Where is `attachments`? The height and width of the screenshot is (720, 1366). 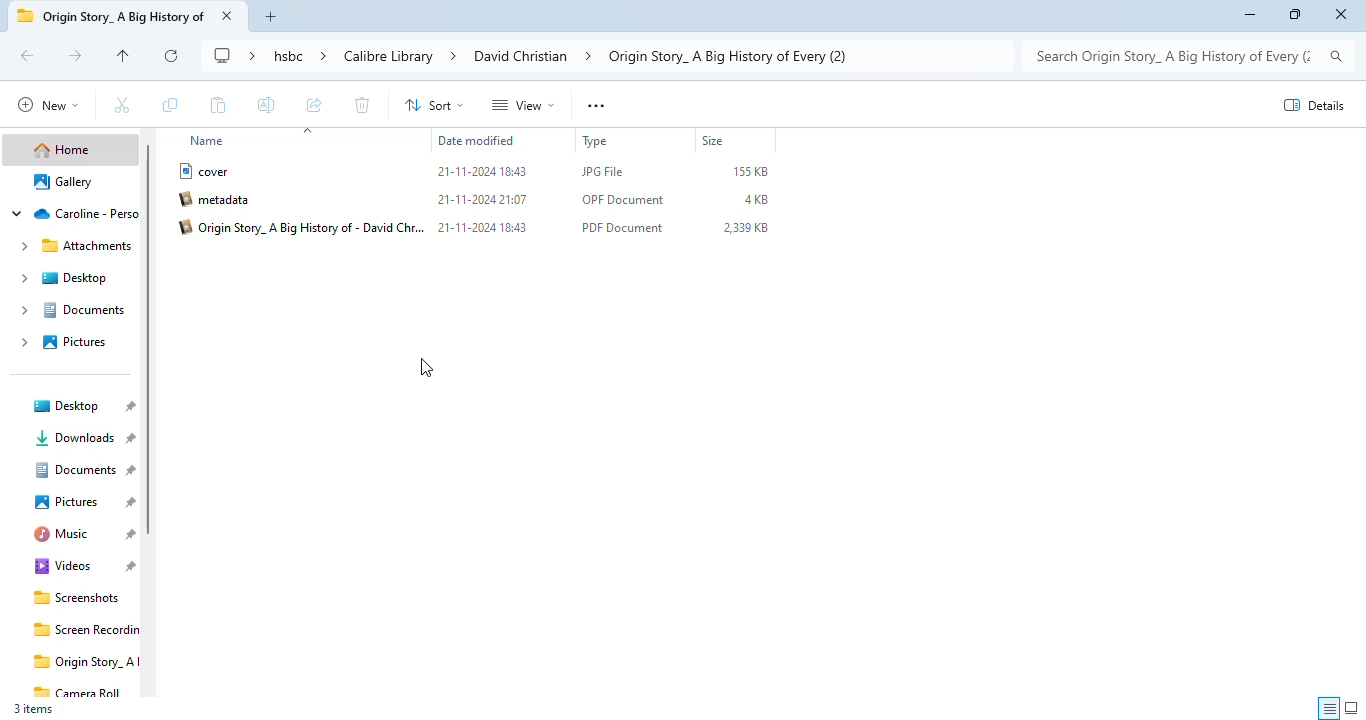
attachments is located at coordinates (73, 246).